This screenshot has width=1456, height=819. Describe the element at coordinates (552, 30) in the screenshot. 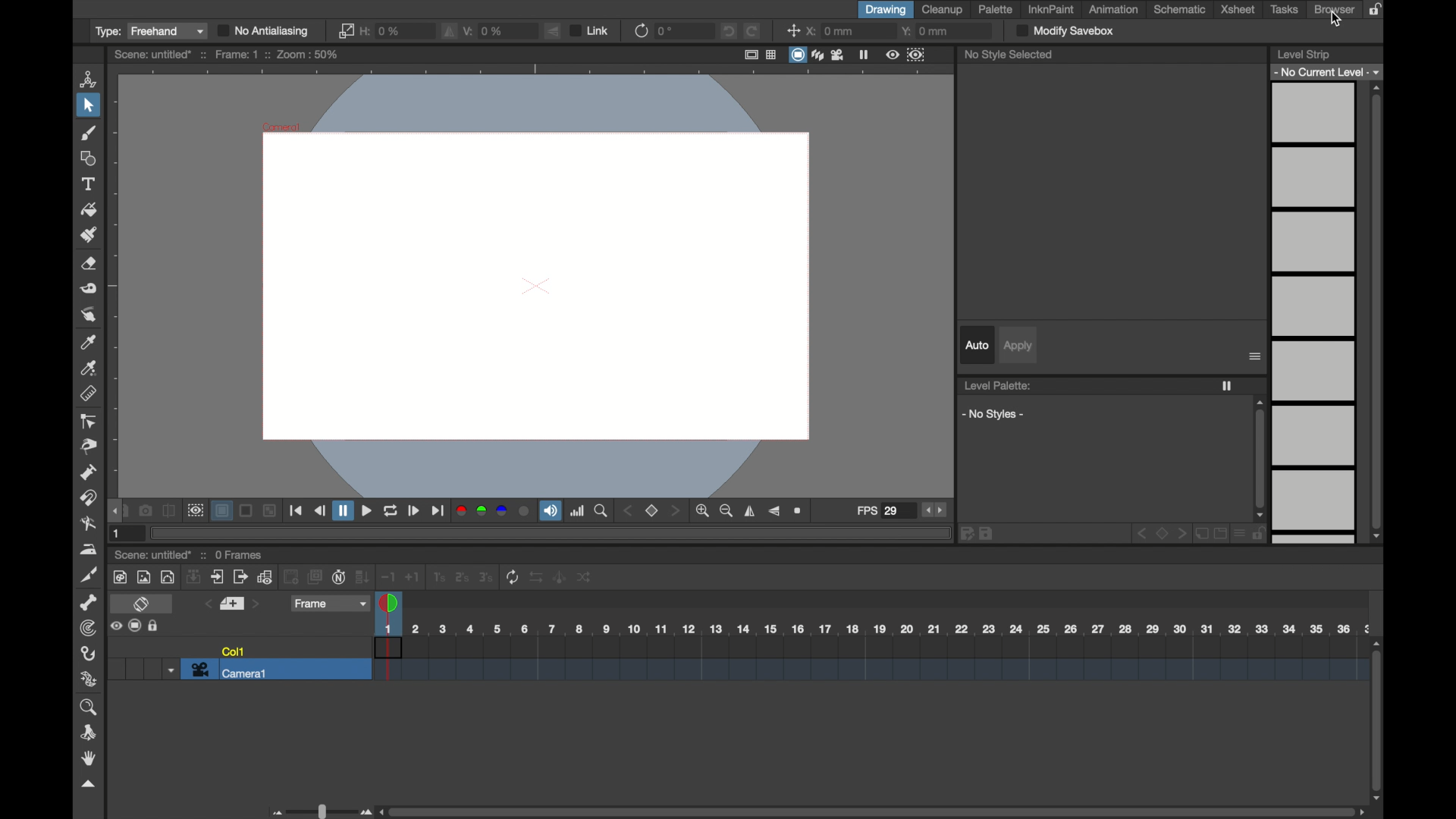

I see `flip vertically` at that location.